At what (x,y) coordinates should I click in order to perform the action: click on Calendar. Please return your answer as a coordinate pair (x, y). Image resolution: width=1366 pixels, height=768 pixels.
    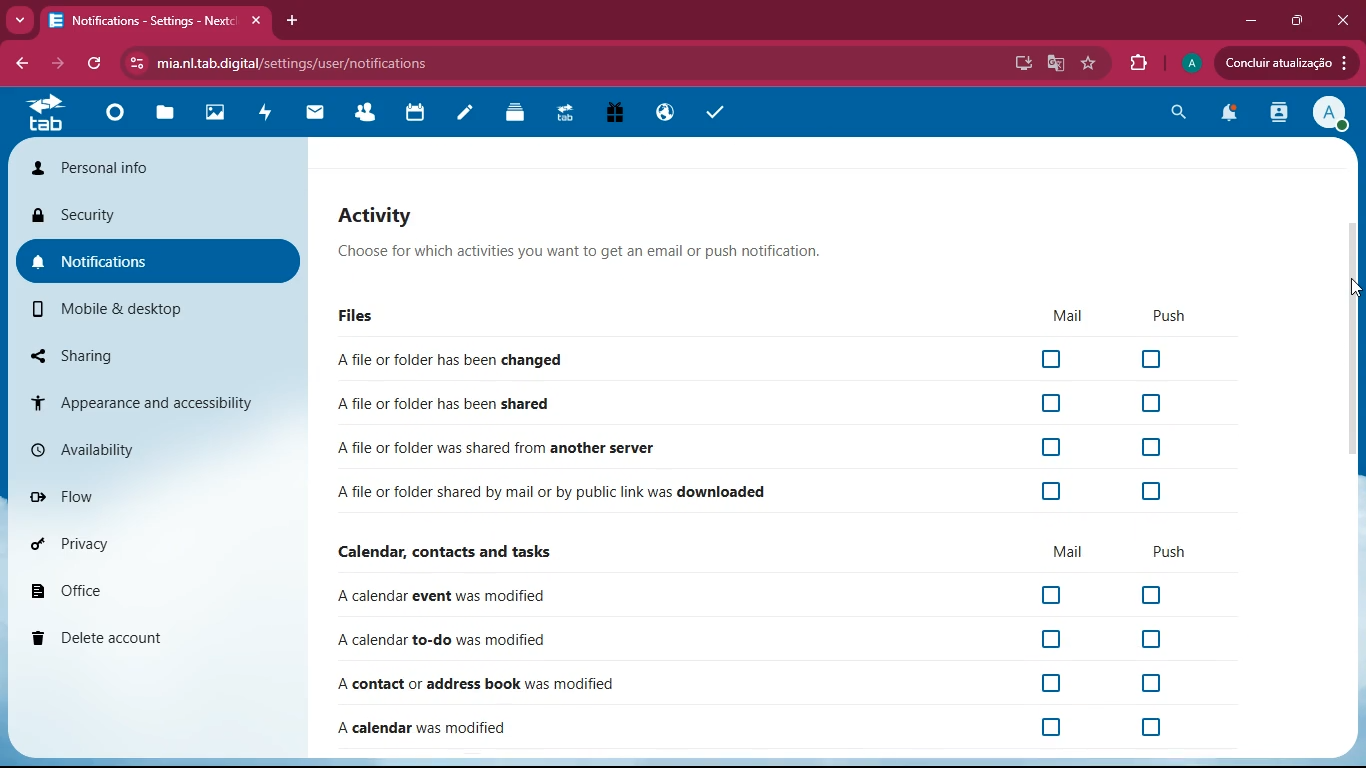
    Looking at the image, I should click on (418, 112).